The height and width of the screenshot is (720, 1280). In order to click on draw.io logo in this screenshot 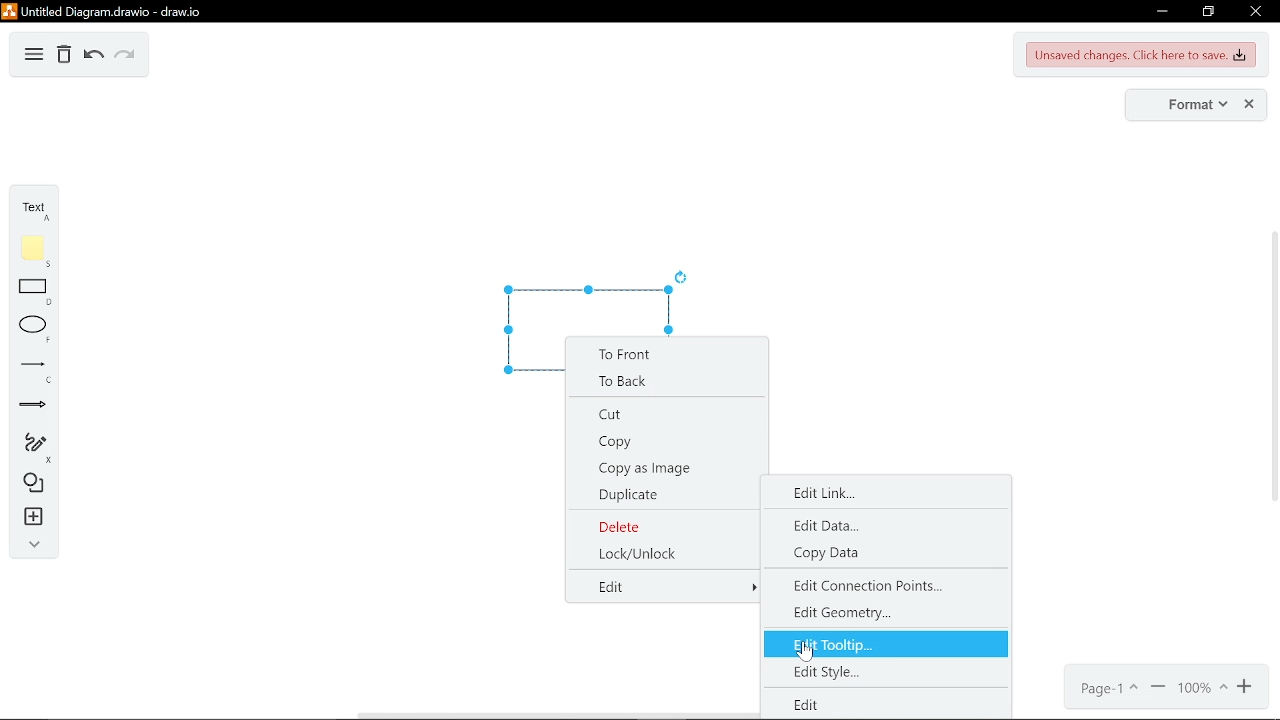, I will do `click(8, 10)`.